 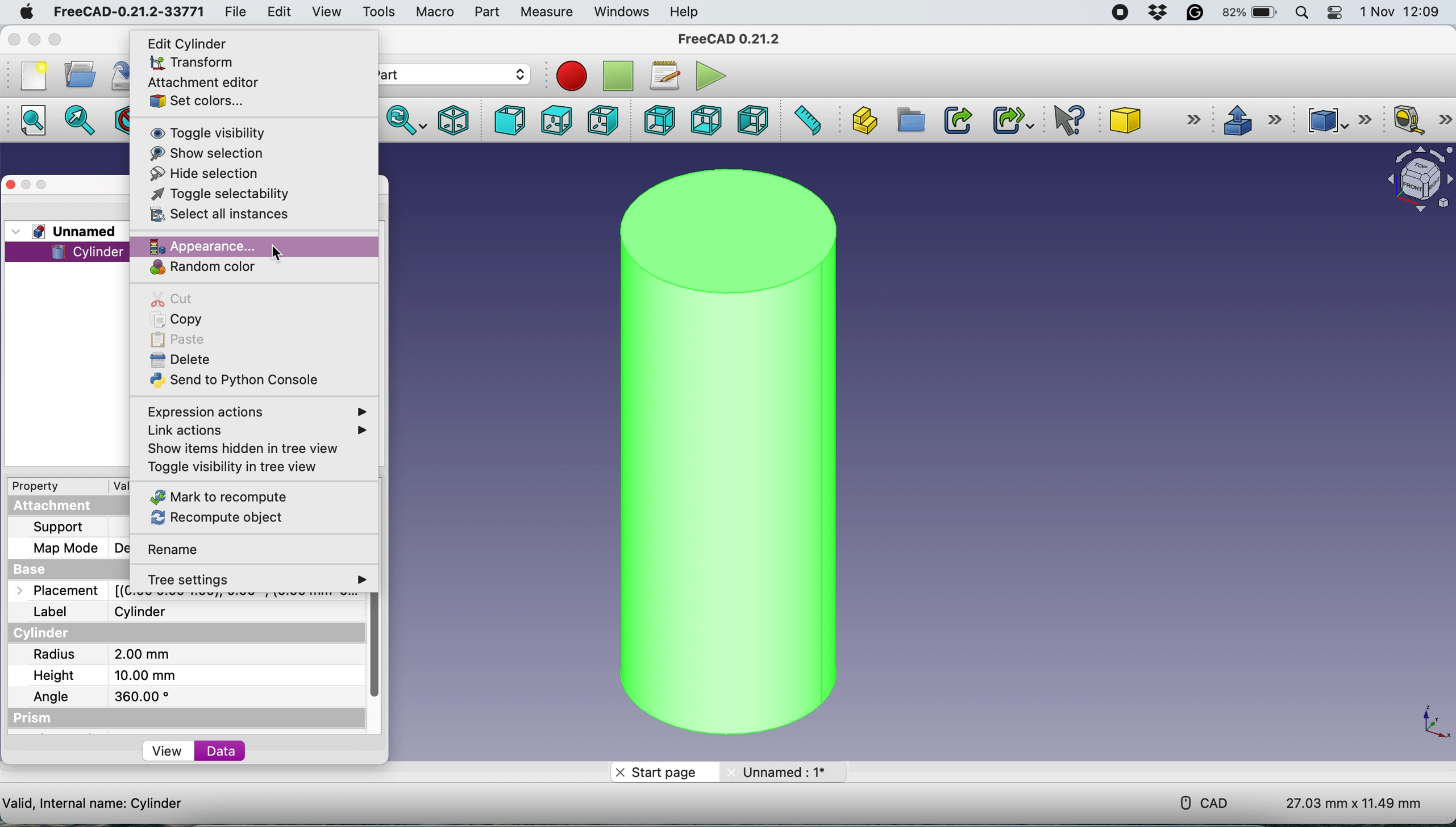 I want to click on system logo, so click(x=28, y=12).